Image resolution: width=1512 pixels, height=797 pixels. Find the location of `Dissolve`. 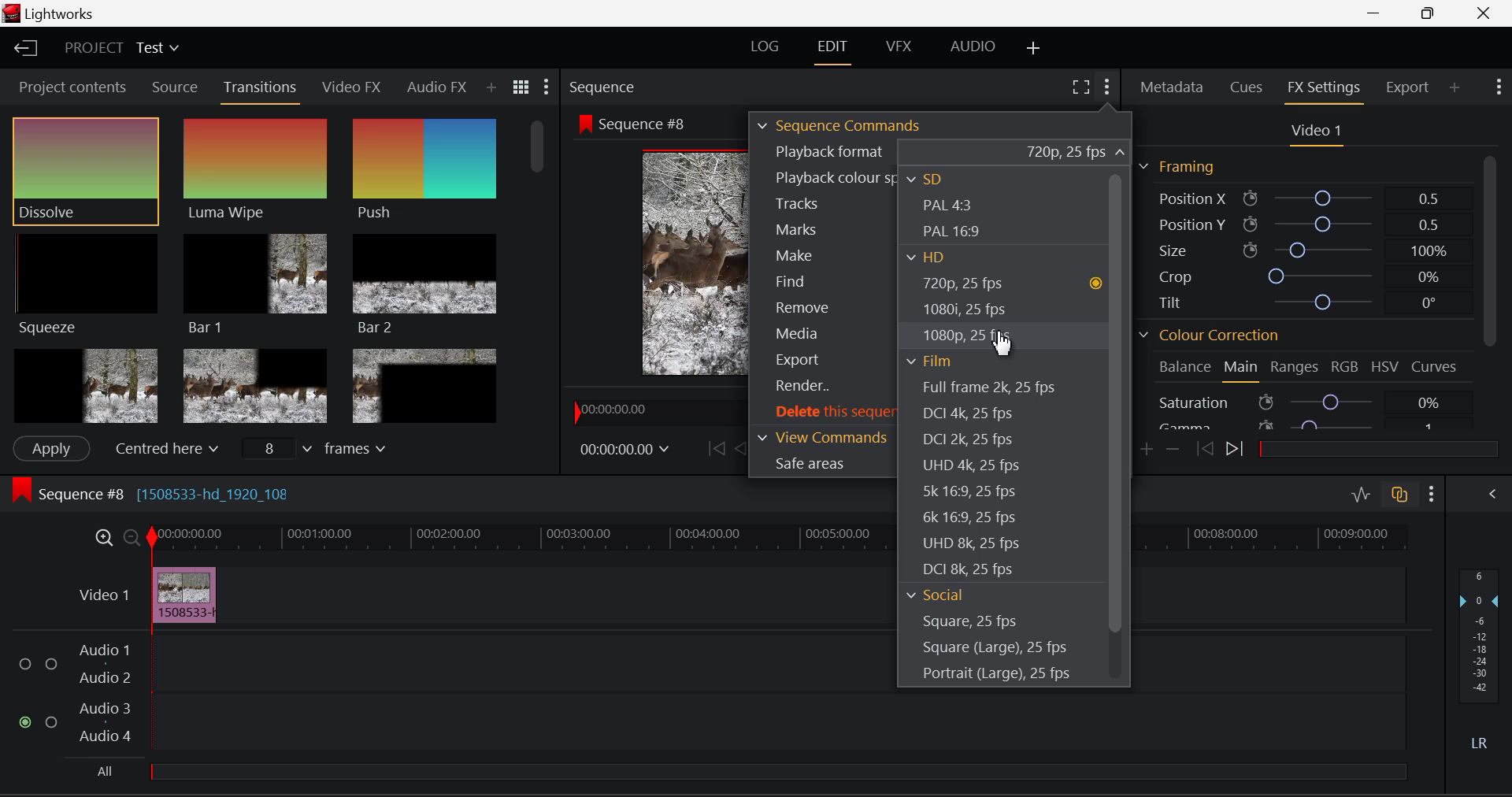

Dissolve is located at coordinates (85, 170).